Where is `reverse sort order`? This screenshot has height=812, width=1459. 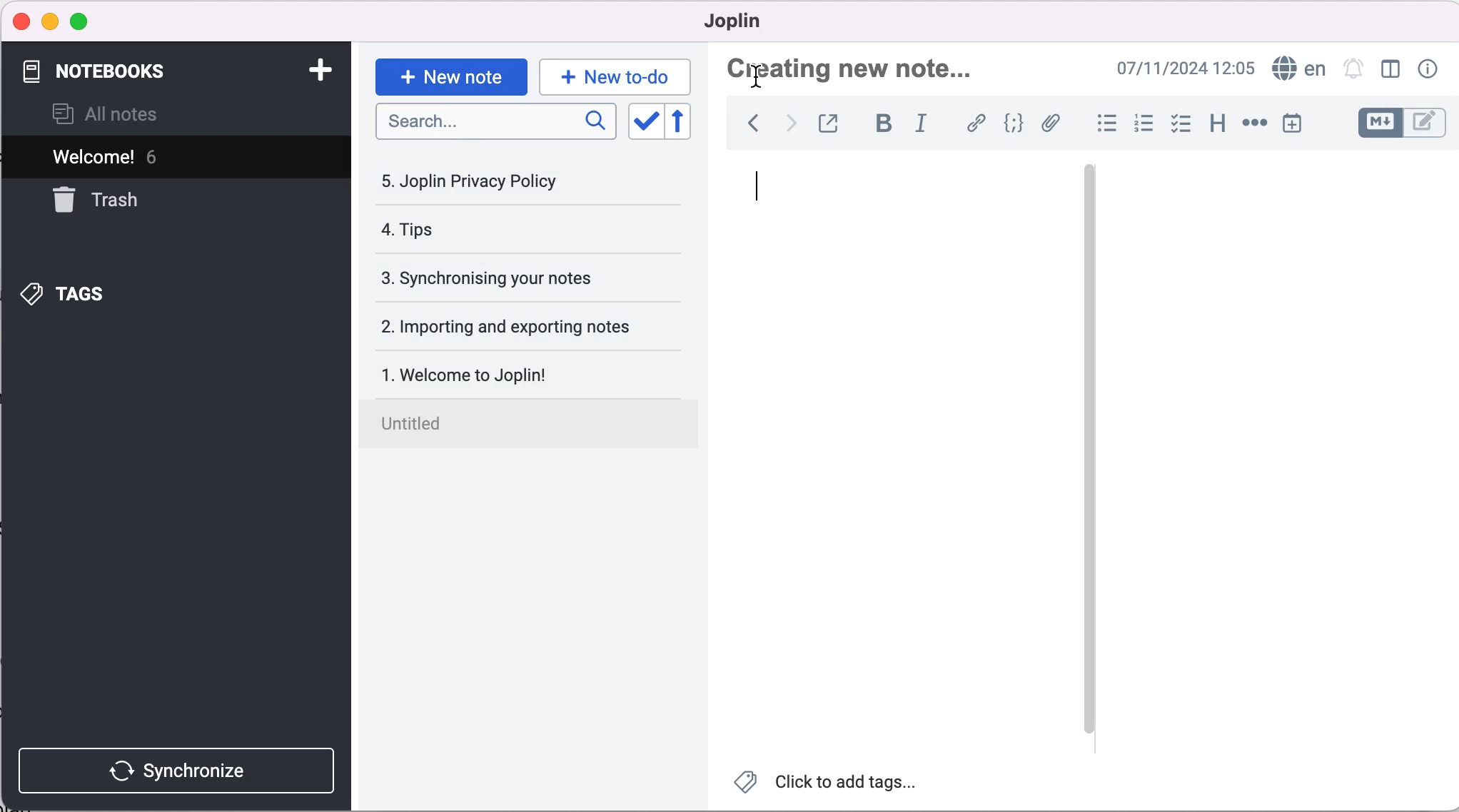 reverse sort order is located at coordinates (684, 123).